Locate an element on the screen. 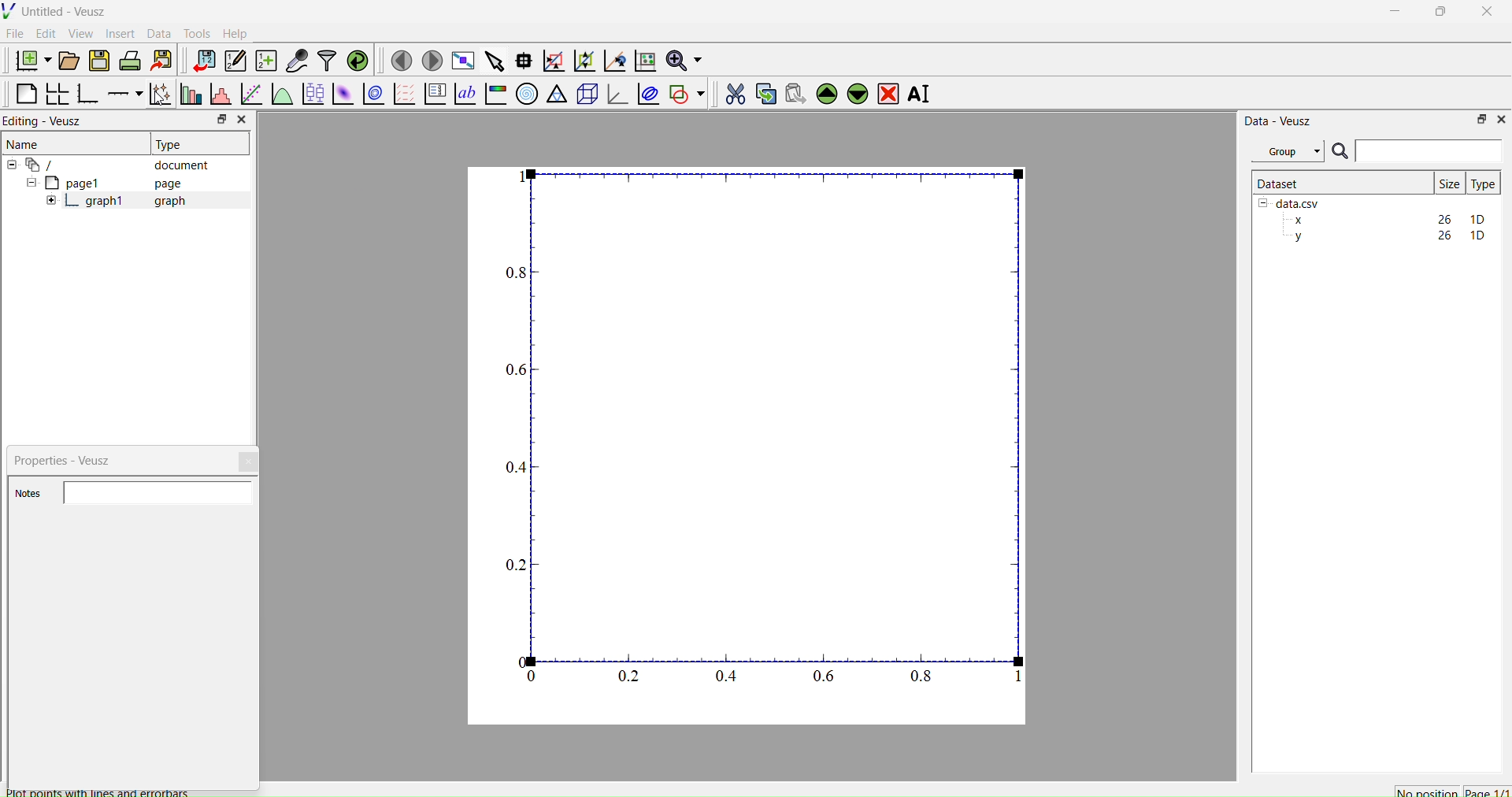 The height and width of the screenshot is (797, 1512). Data - Veusz is located at coordinates (1278, 120).